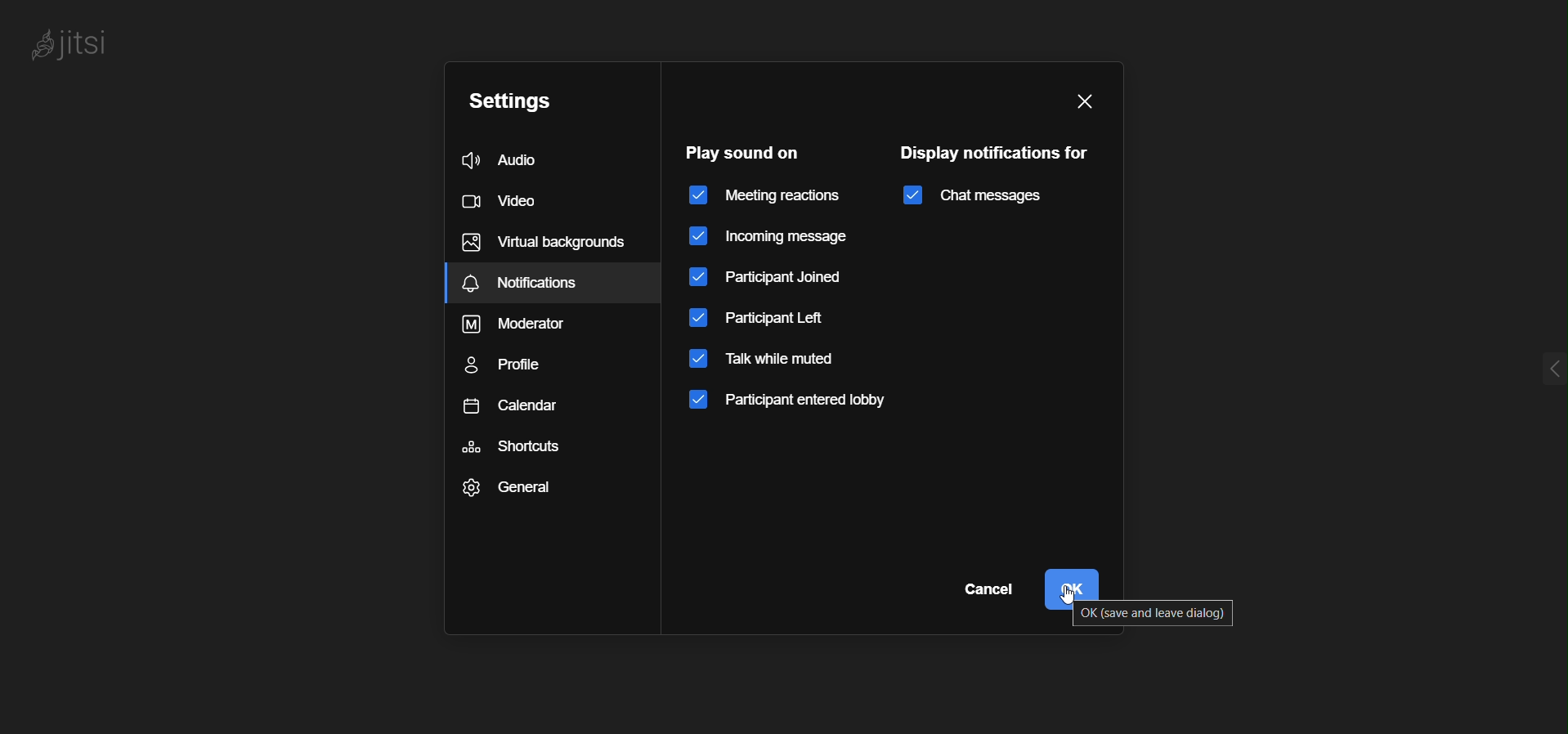  I want to click on setting, so click(514, 102).